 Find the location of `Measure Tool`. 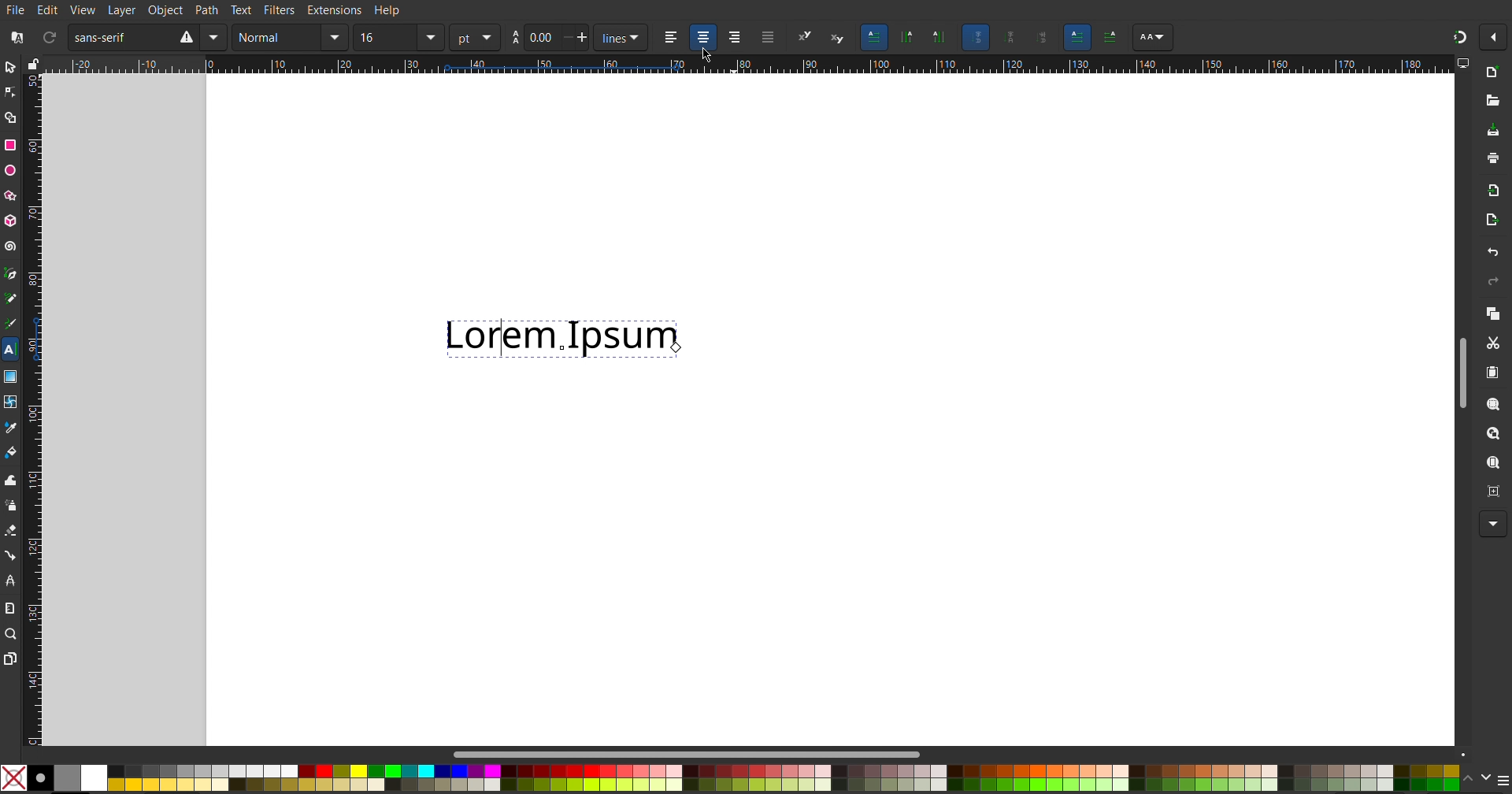

Measure Tool is located at coordinates (11, 608).